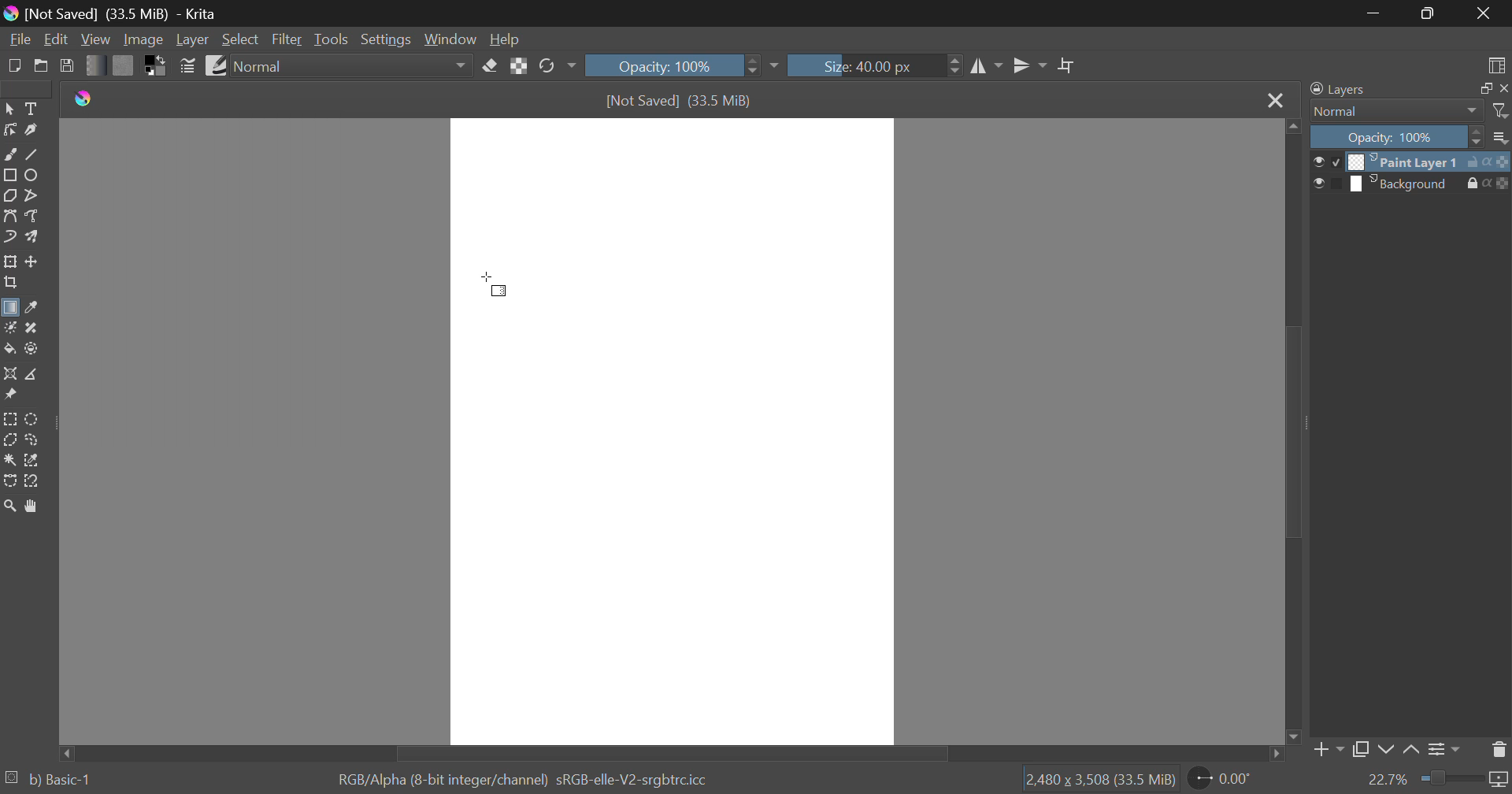 The width and height of the screenshot is (1512, 794). What do you see at coordinates (557, 67) in the screenshot?
I see `Rotate` at bounding box center [557, 67].